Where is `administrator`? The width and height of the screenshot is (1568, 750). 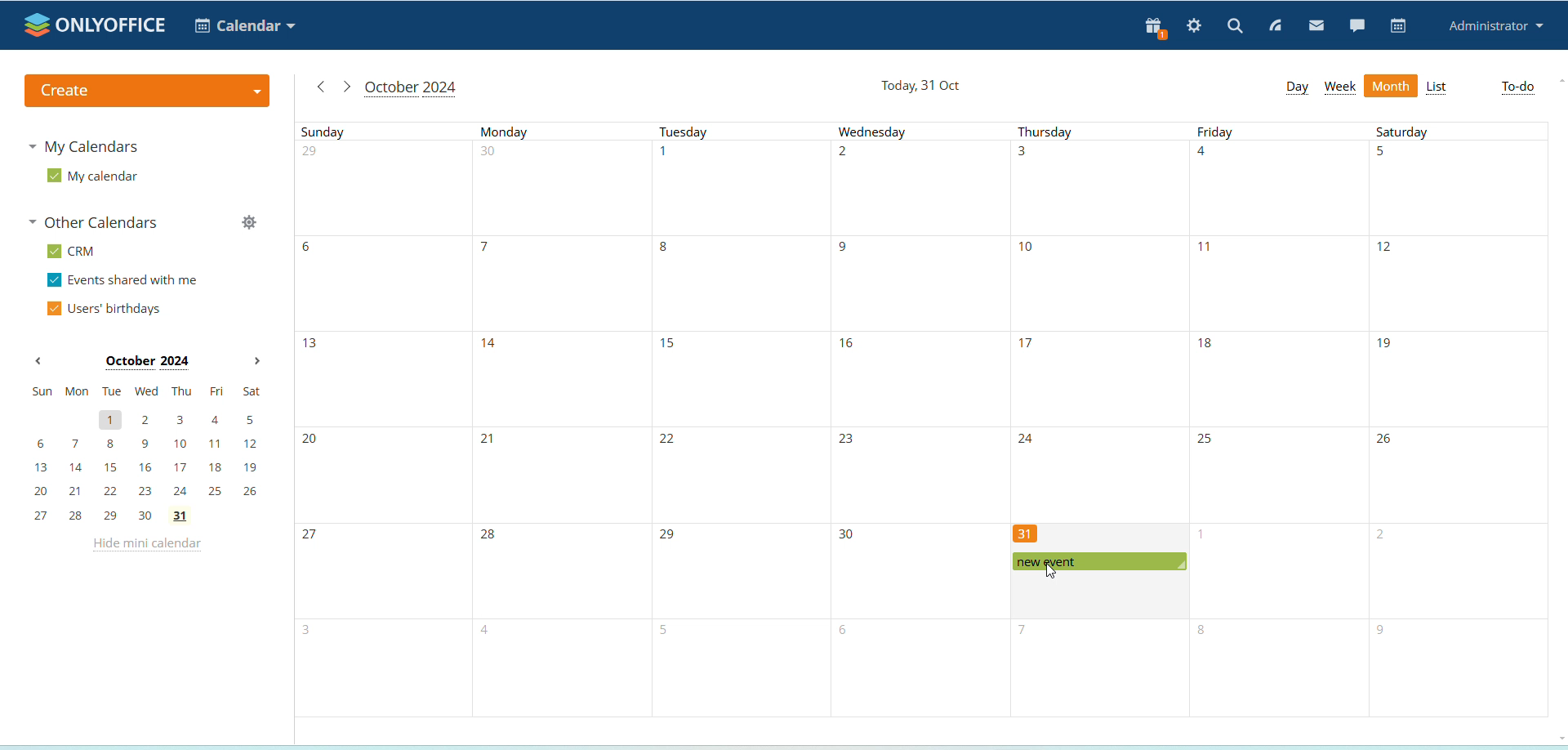 administrator is located at coordinates (1497, 27).